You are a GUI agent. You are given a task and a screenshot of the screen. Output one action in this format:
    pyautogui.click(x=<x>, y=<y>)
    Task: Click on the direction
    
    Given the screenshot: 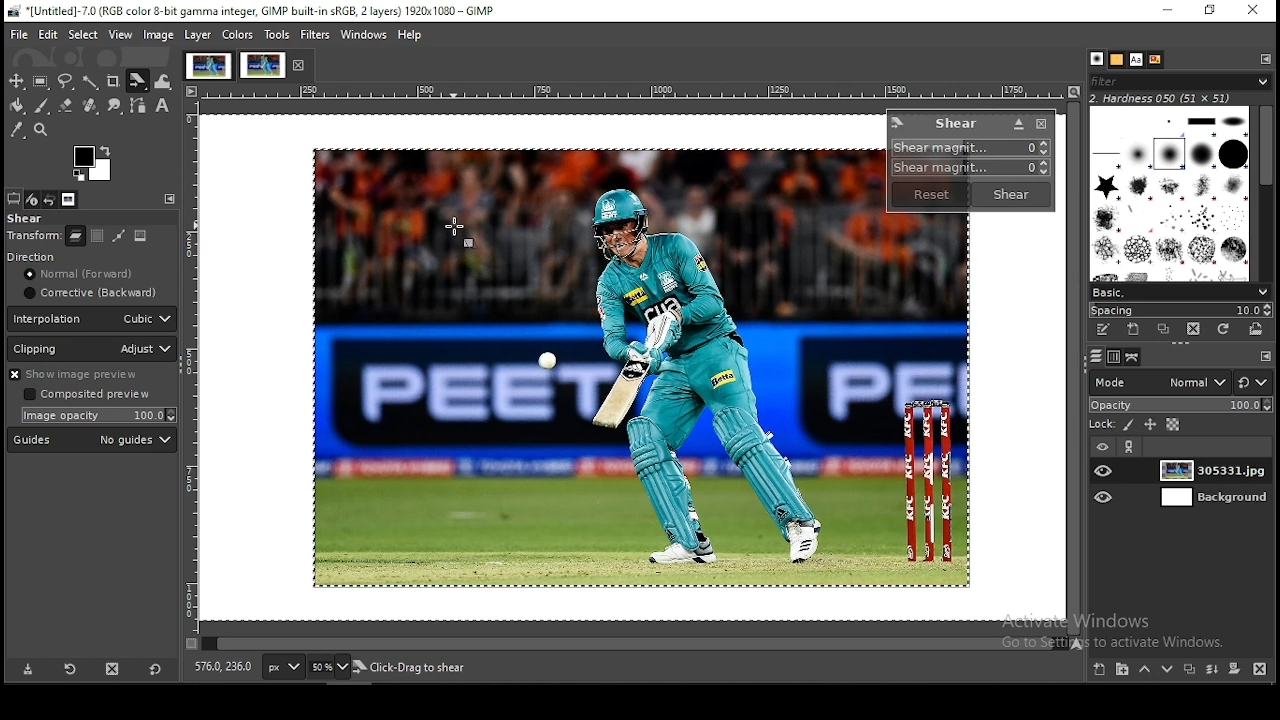 What is the action you would take?
    pyautogui.click(x=57, y=256)
    